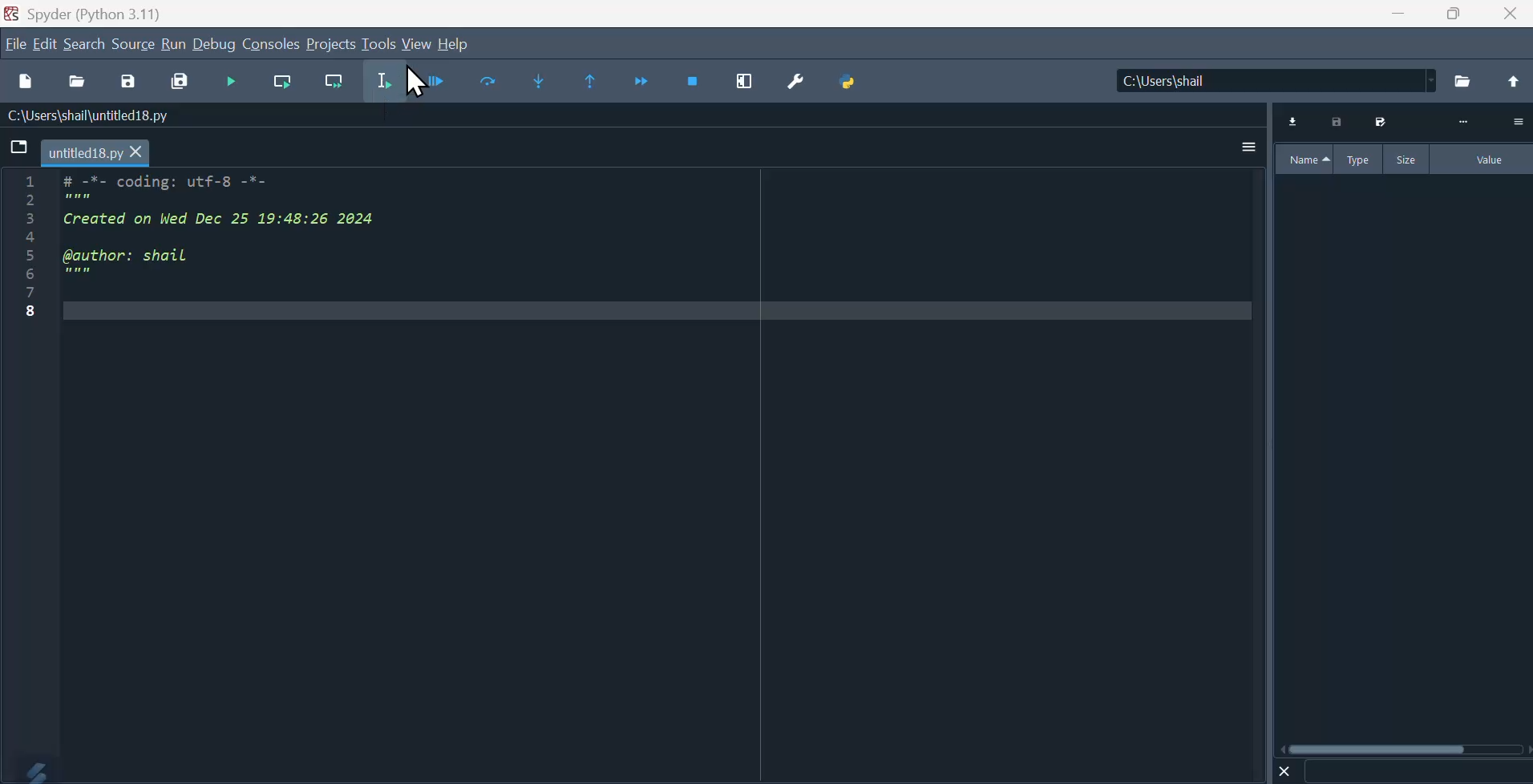  I want to click on Open, so click(79, 83).